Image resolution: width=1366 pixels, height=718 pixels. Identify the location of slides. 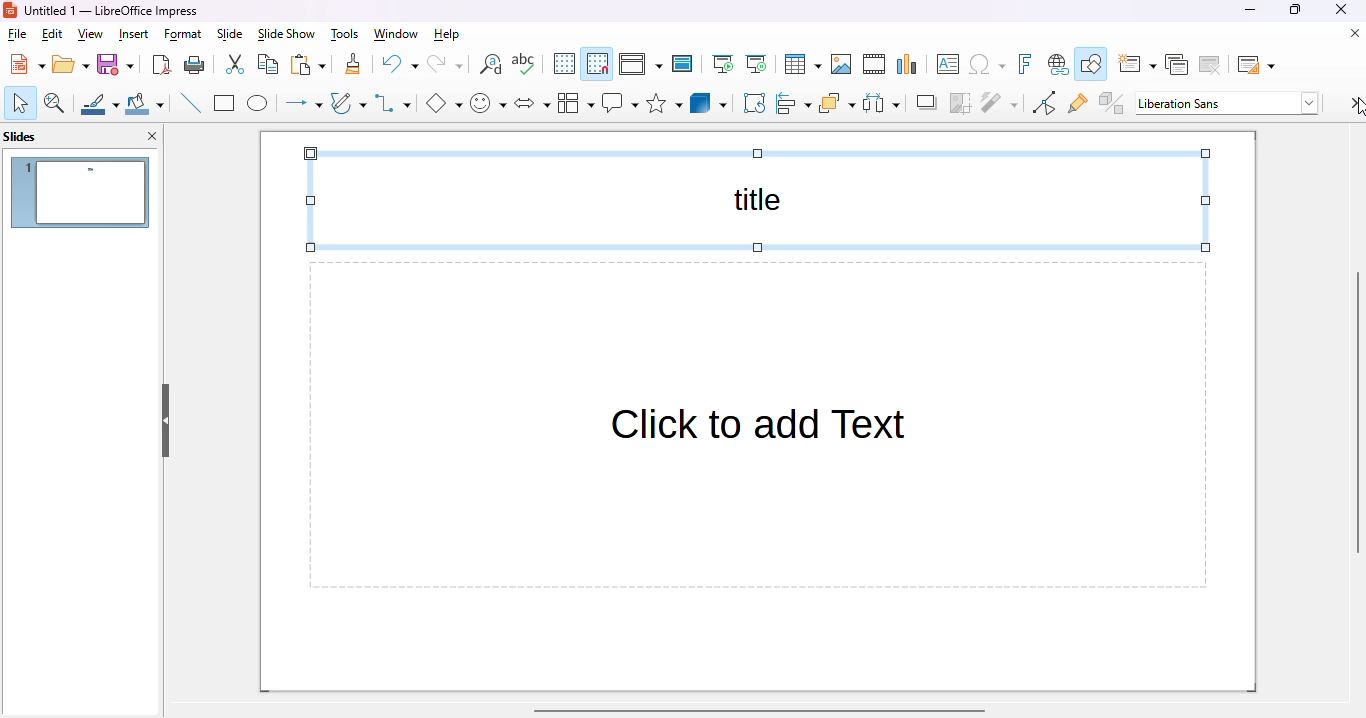
(21, 137).